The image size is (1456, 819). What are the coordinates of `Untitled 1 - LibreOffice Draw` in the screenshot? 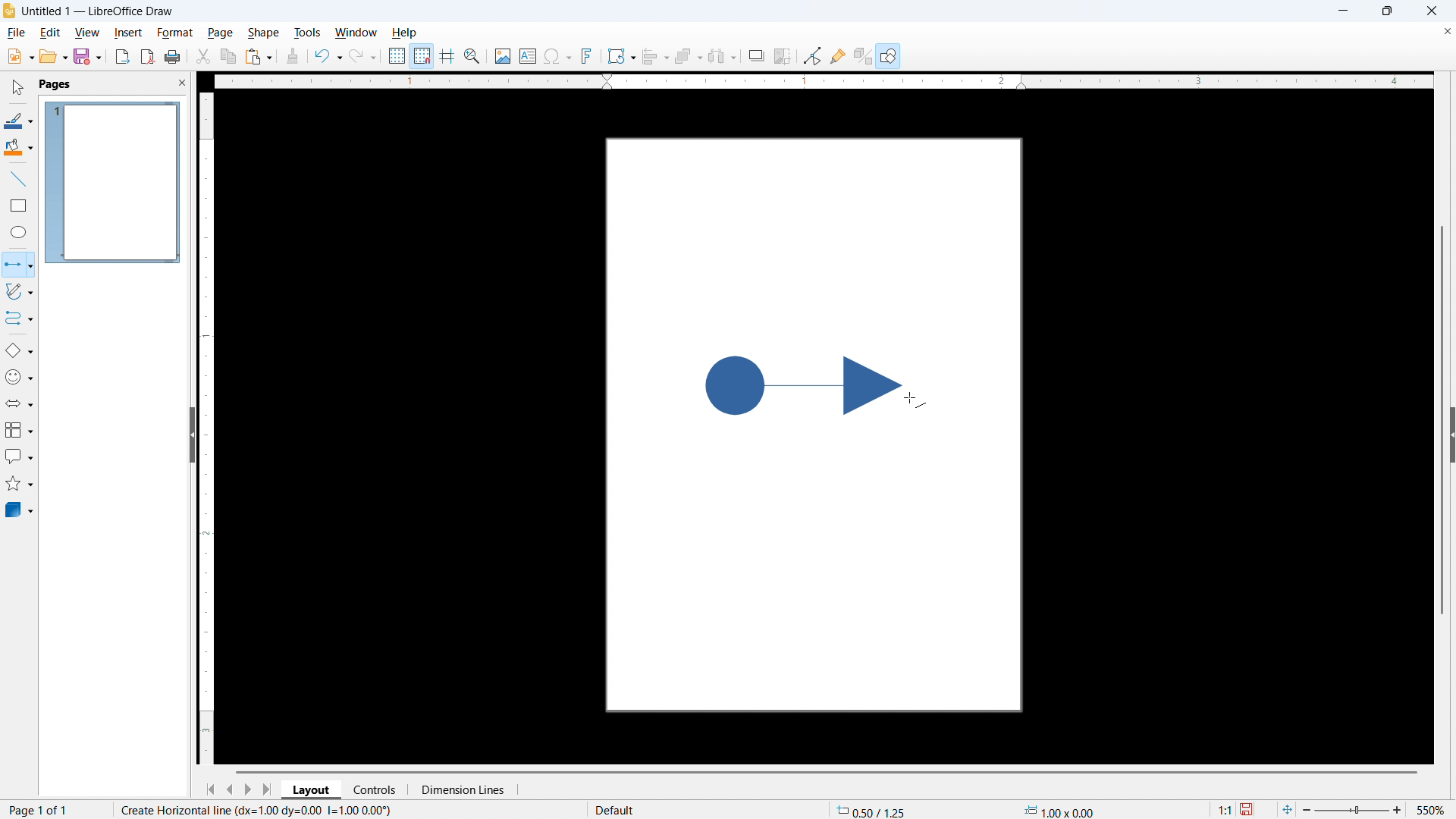 It's located at (99, 11).